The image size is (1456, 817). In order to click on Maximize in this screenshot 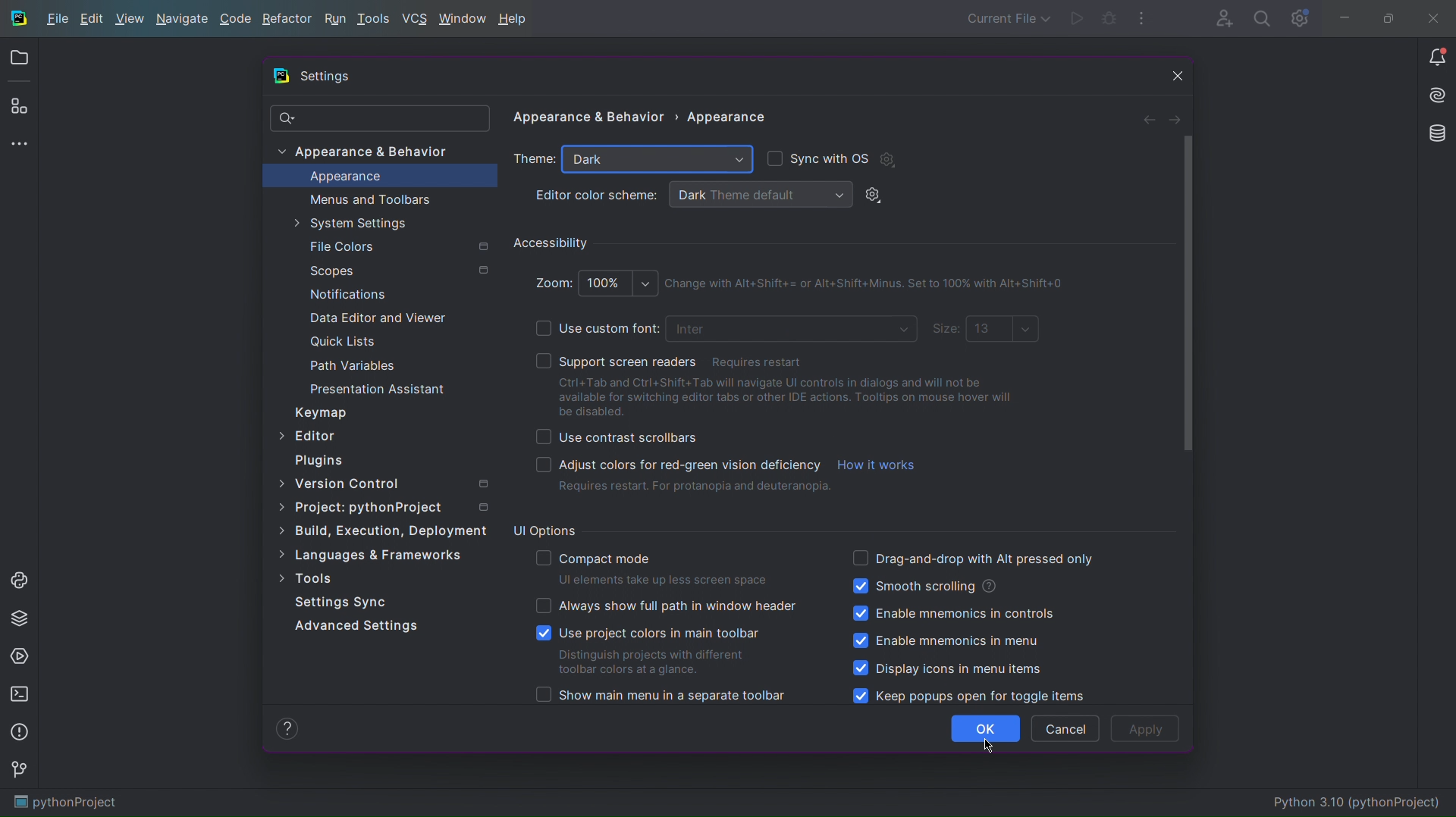, I will do `click(1388, 17)`.